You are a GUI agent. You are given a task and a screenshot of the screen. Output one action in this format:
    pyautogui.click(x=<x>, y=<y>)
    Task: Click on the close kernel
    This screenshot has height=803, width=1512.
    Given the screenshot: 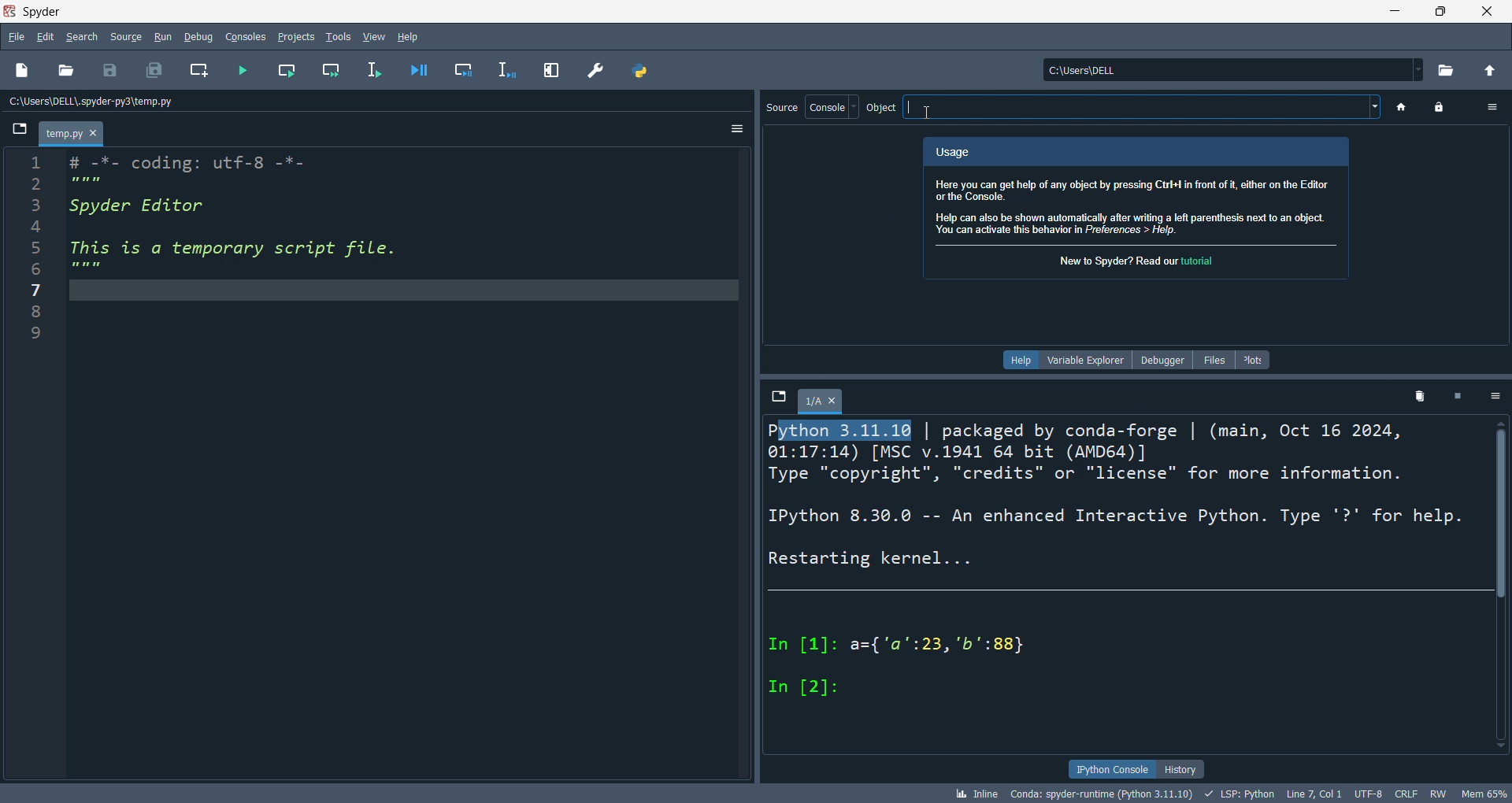 What is the action you would take?
    pyautogui.click(x=1450, y=396)
    